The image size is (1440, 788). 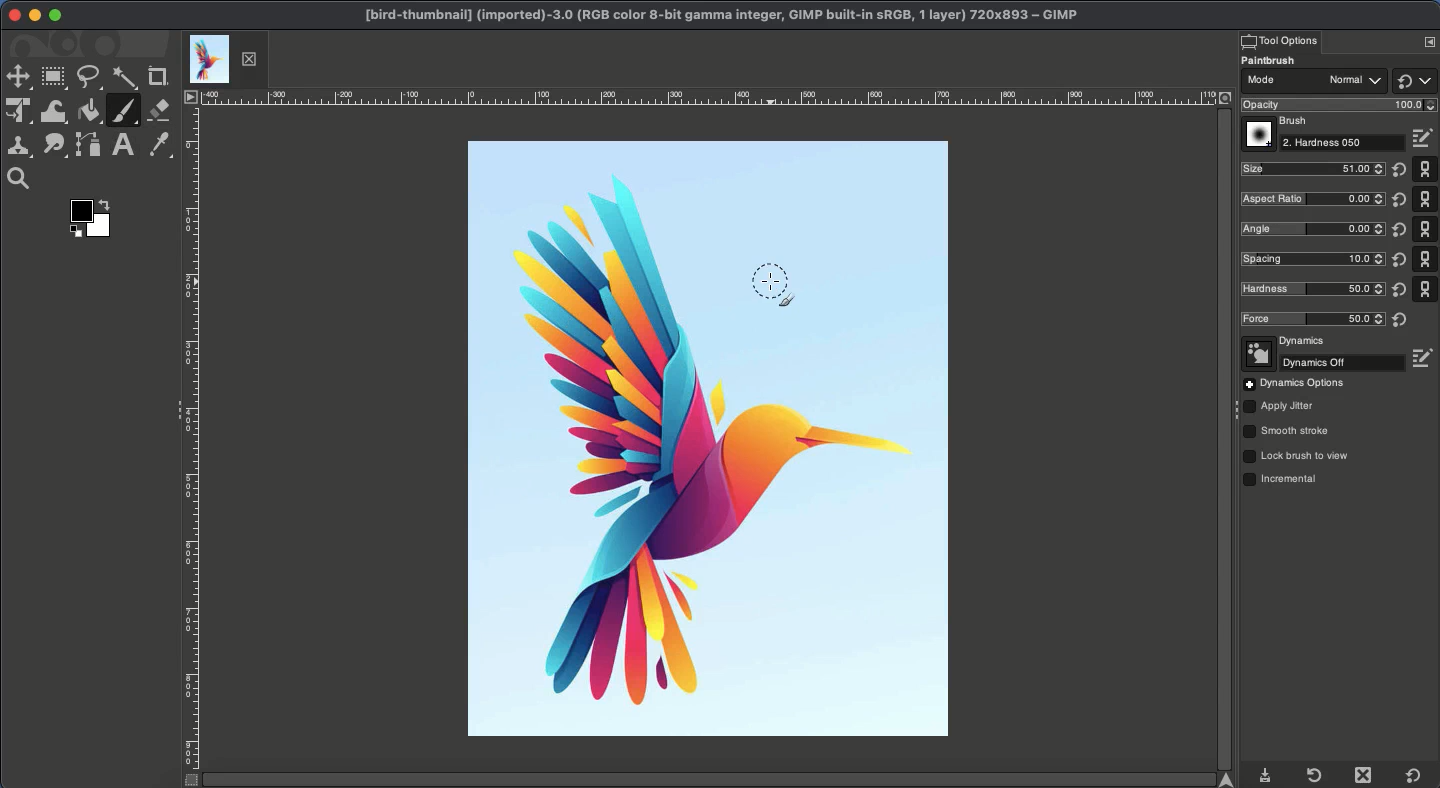 I want to click on Move tool, so click(x=17, y=78).